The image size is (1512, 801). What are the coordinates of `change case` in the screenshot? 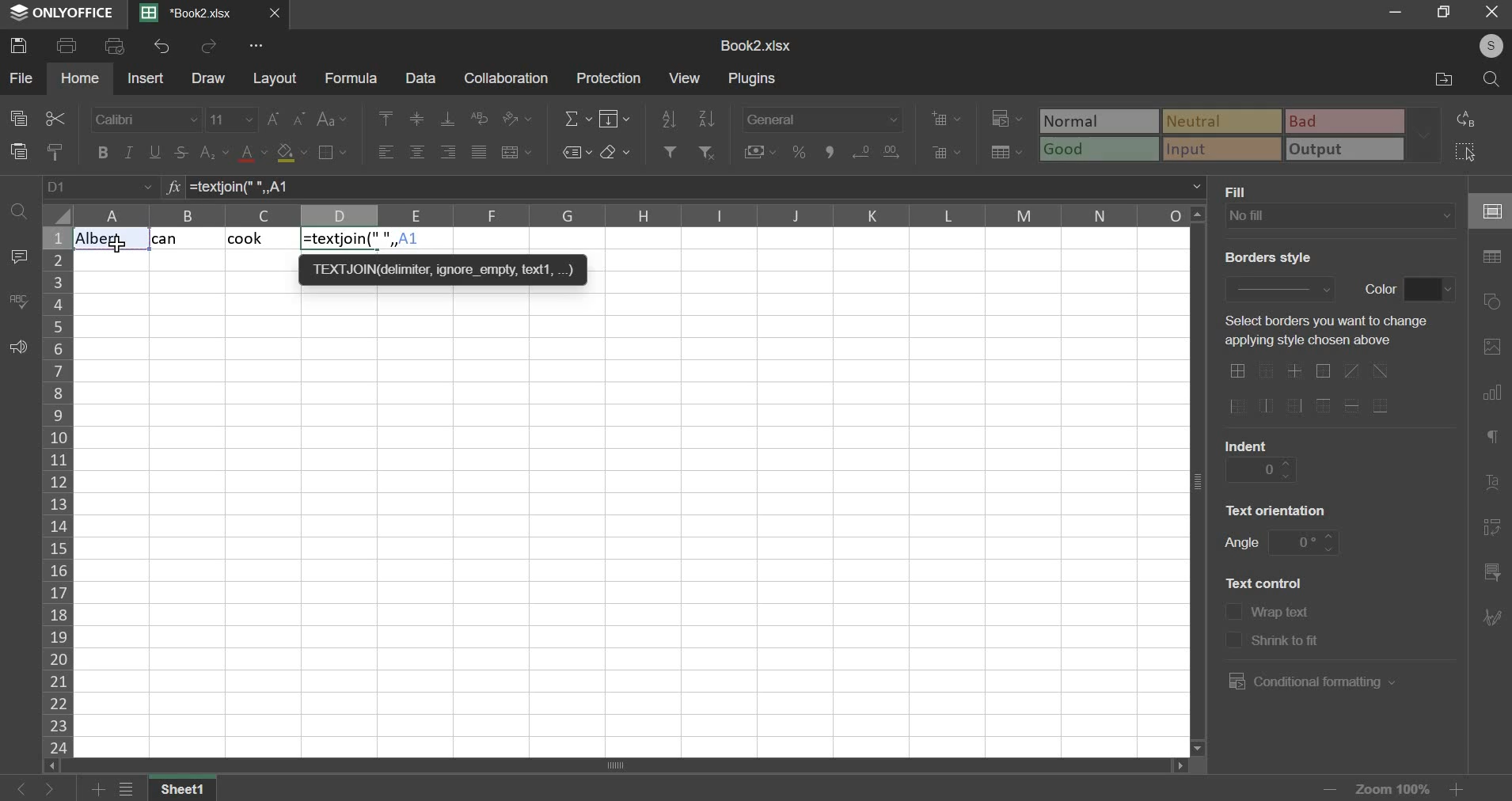 It's located at (331, 120).